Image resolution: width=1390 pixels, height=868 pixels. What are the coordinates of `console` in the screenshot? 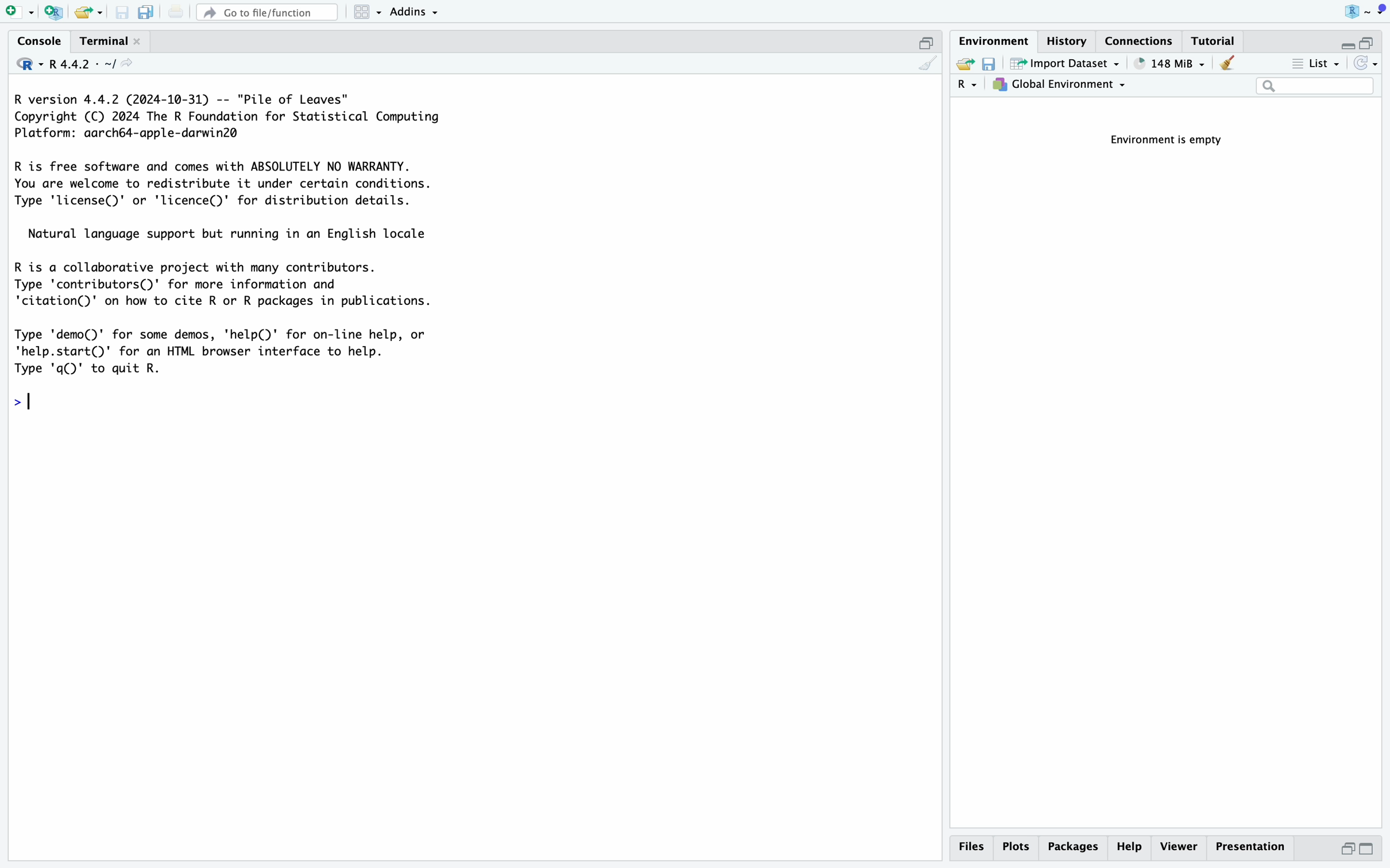 It's located at (927, 64).